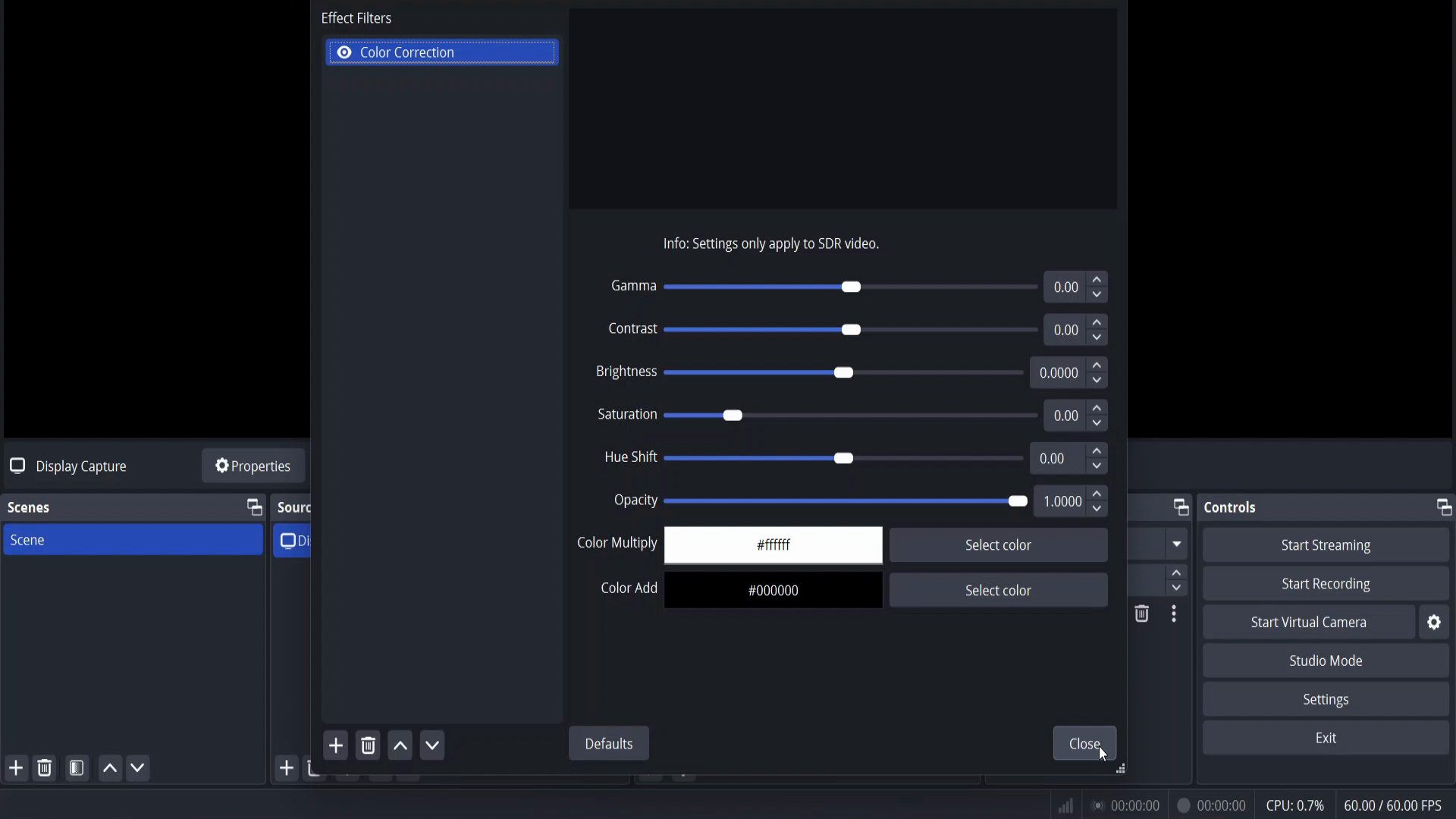 The height and width of the screenshot is (819, 1456). What do you see at coordinates (334, 745) in the screenshot?
I see `add effect filter` at bounding box center [334, 745].